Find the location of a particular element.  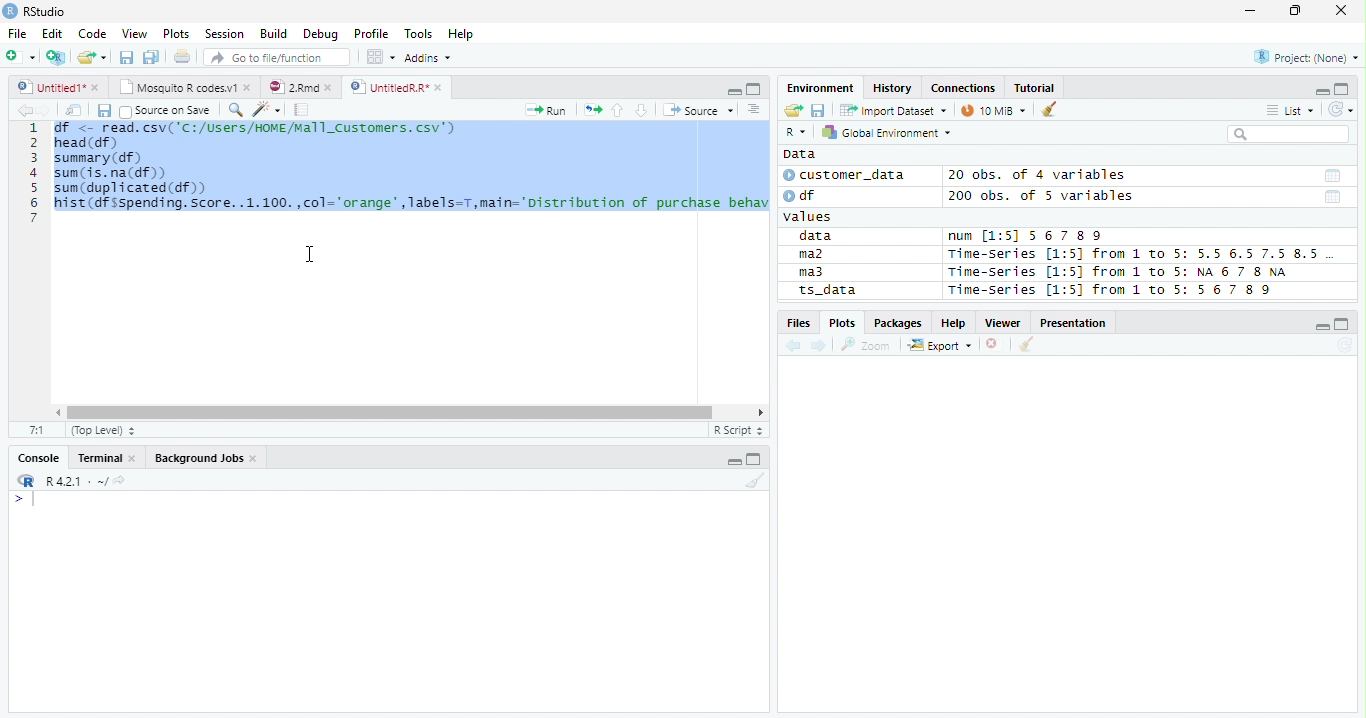

Build is located at coordinates (276, 35).